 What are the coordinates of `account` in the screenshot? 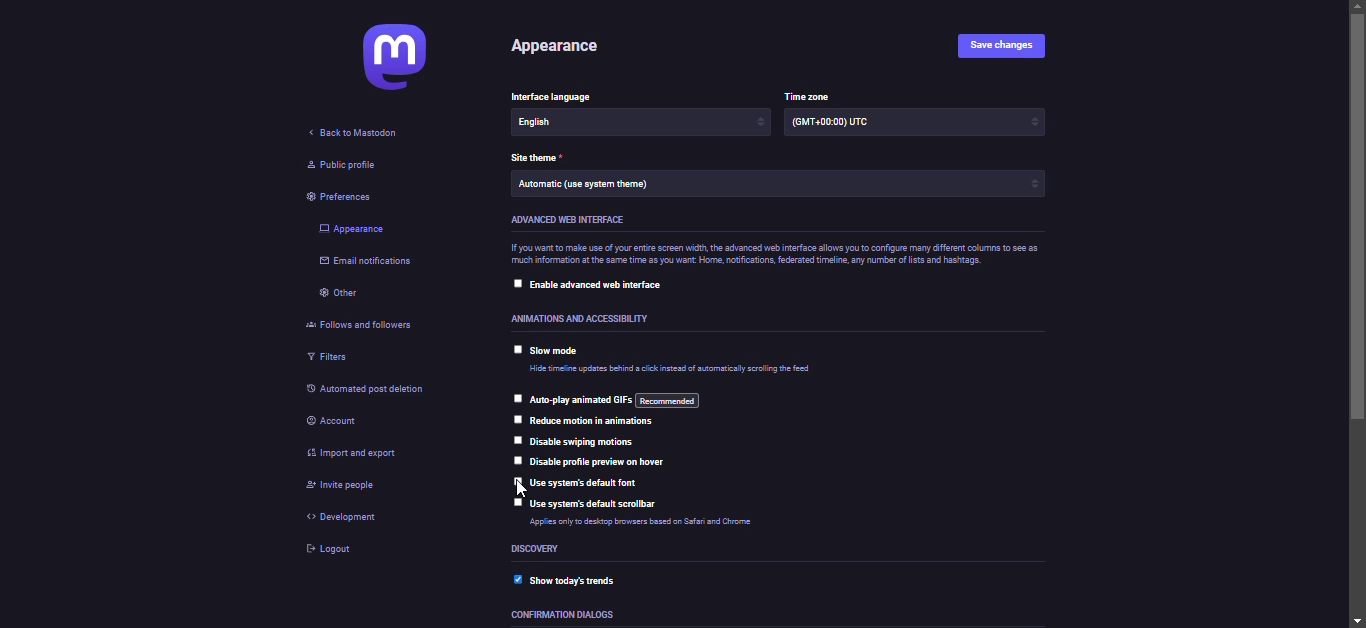 It's located at (342, 424).